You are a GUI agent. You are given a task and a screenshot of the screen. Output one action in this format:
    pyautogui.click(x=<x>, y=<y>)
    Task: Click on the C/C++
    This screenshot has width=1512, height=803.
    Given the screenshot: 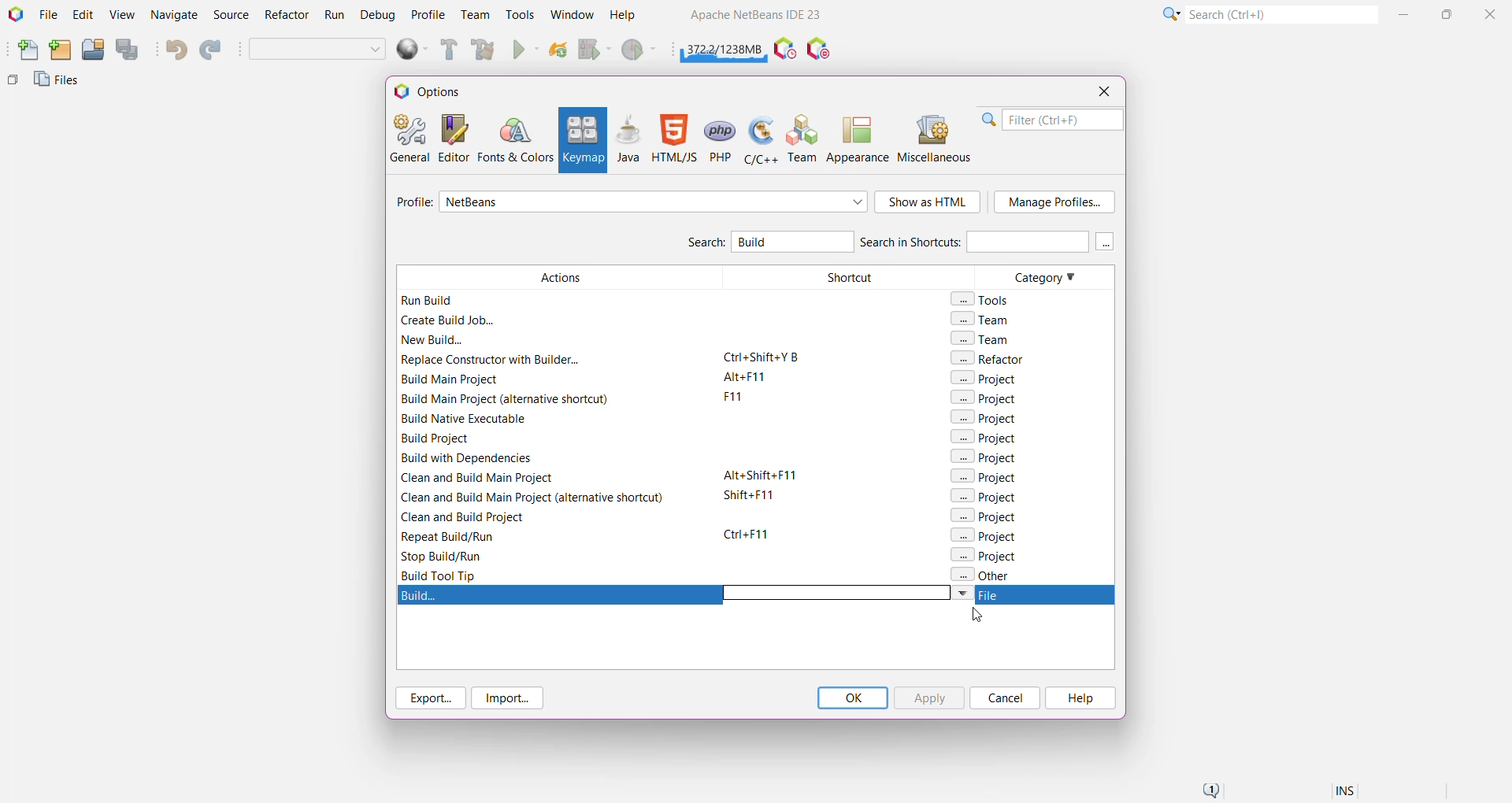 What is the action you would take?
    pyautogui.click(x=759, y=139)
    